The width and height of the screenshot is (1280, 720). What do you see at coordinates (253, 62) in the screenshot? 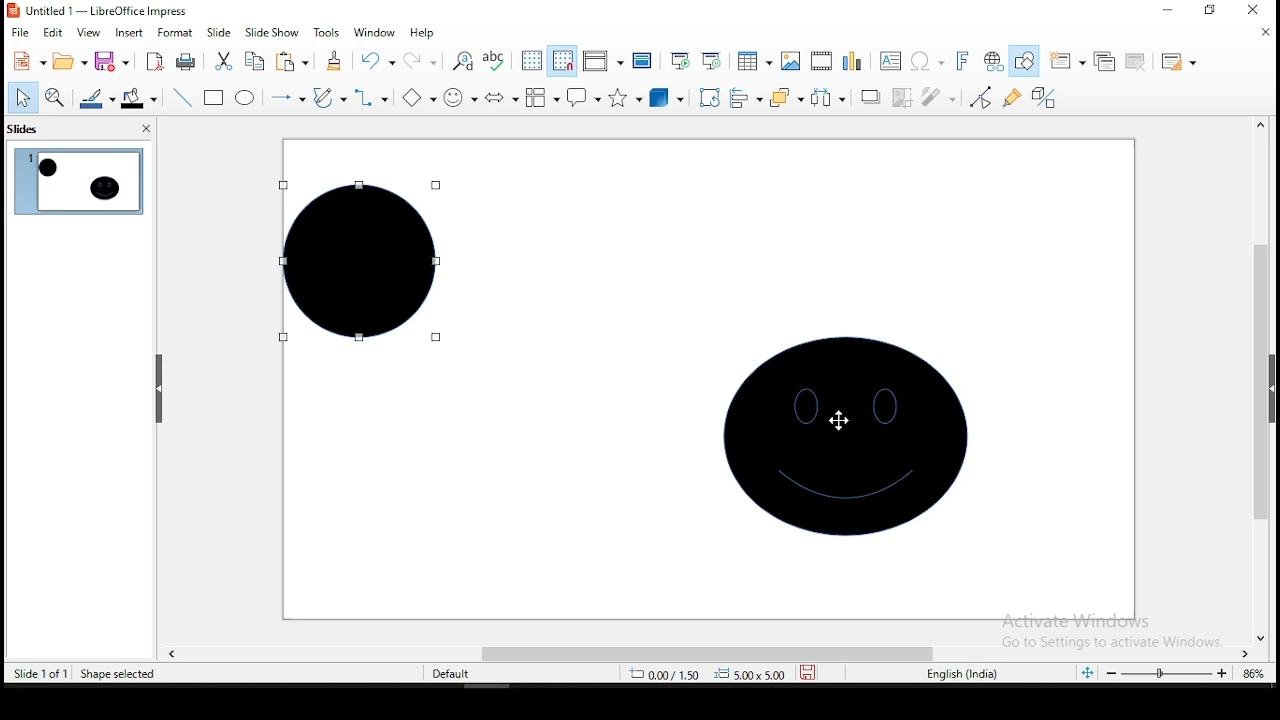
I see `copy` at bounding box center [253, 62].